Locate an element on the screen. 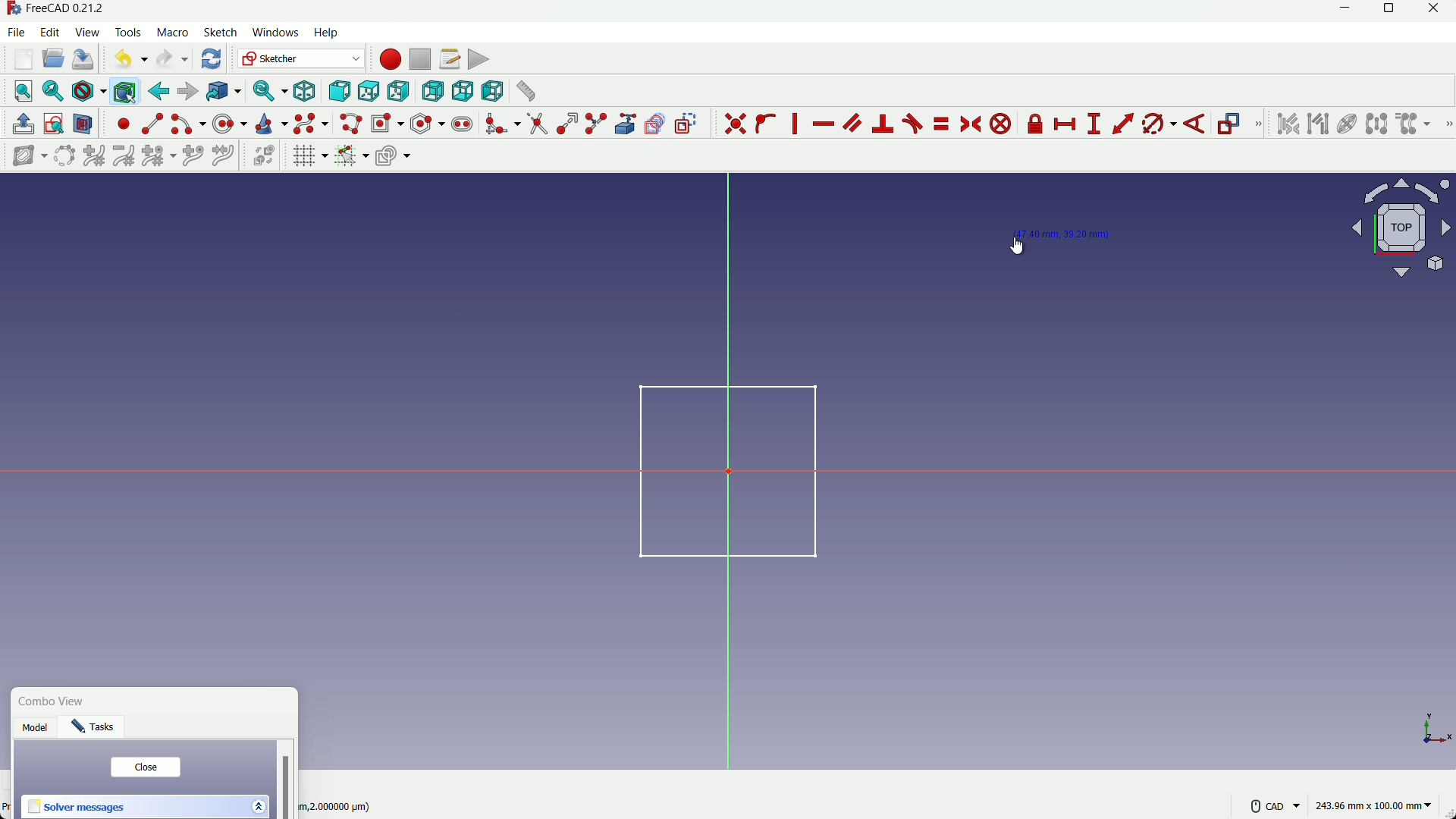  create external geometry is located at coordinates (627, 124).